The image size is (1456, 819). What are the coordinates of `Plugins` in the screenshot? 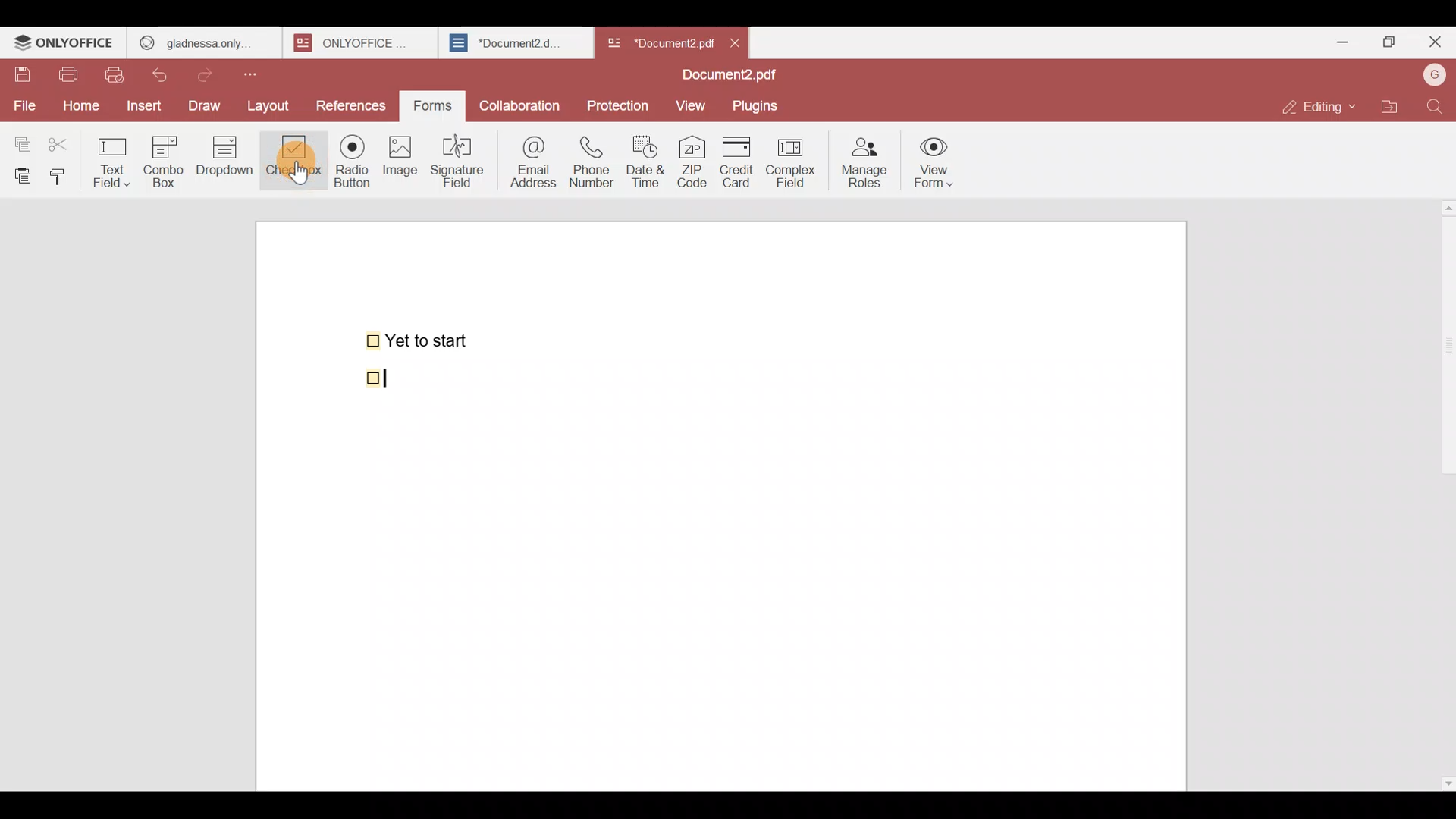 It's located at (761, 106).